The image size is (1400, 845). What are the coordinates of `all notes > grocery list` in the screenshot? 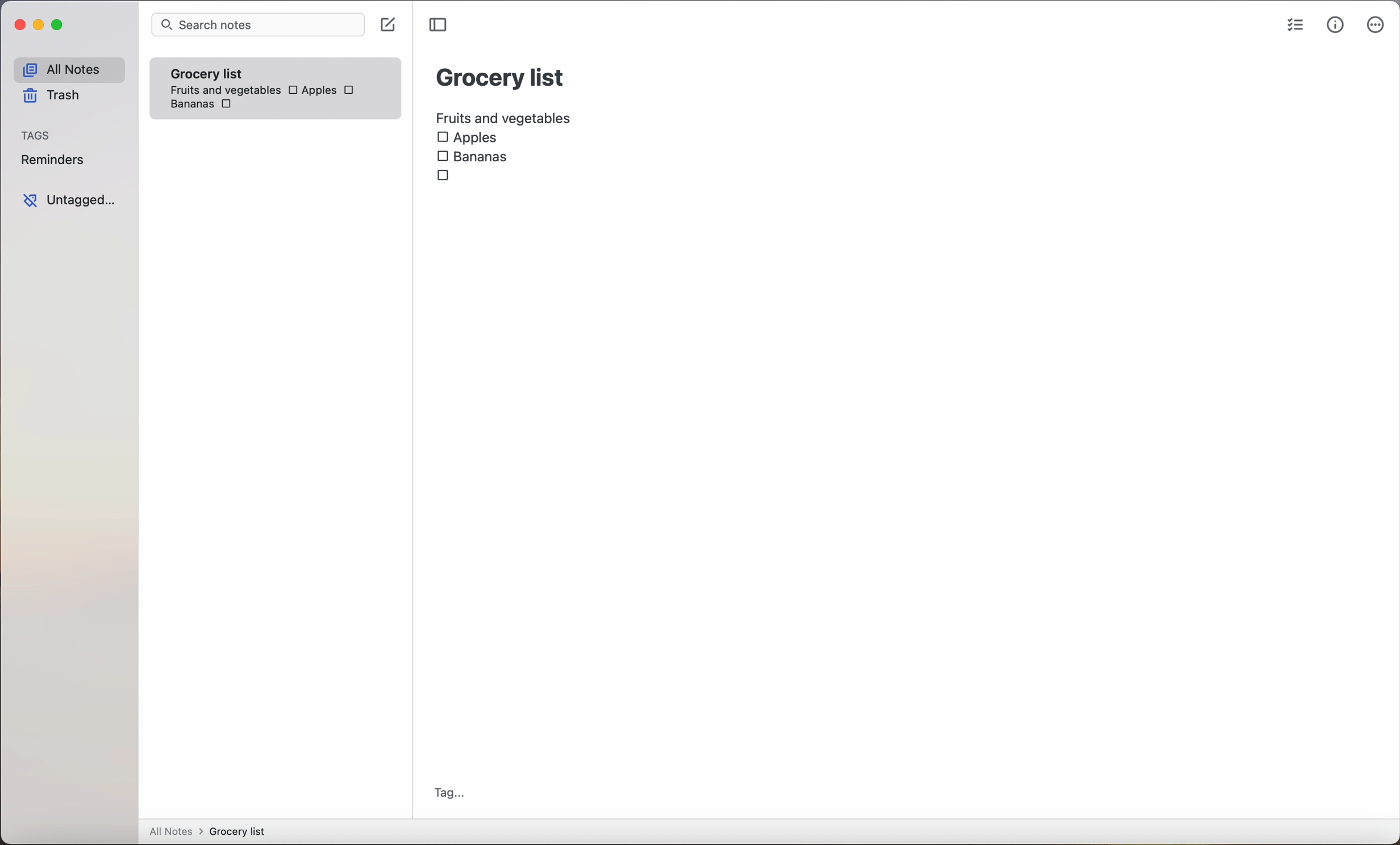 It's located at (212, 833).